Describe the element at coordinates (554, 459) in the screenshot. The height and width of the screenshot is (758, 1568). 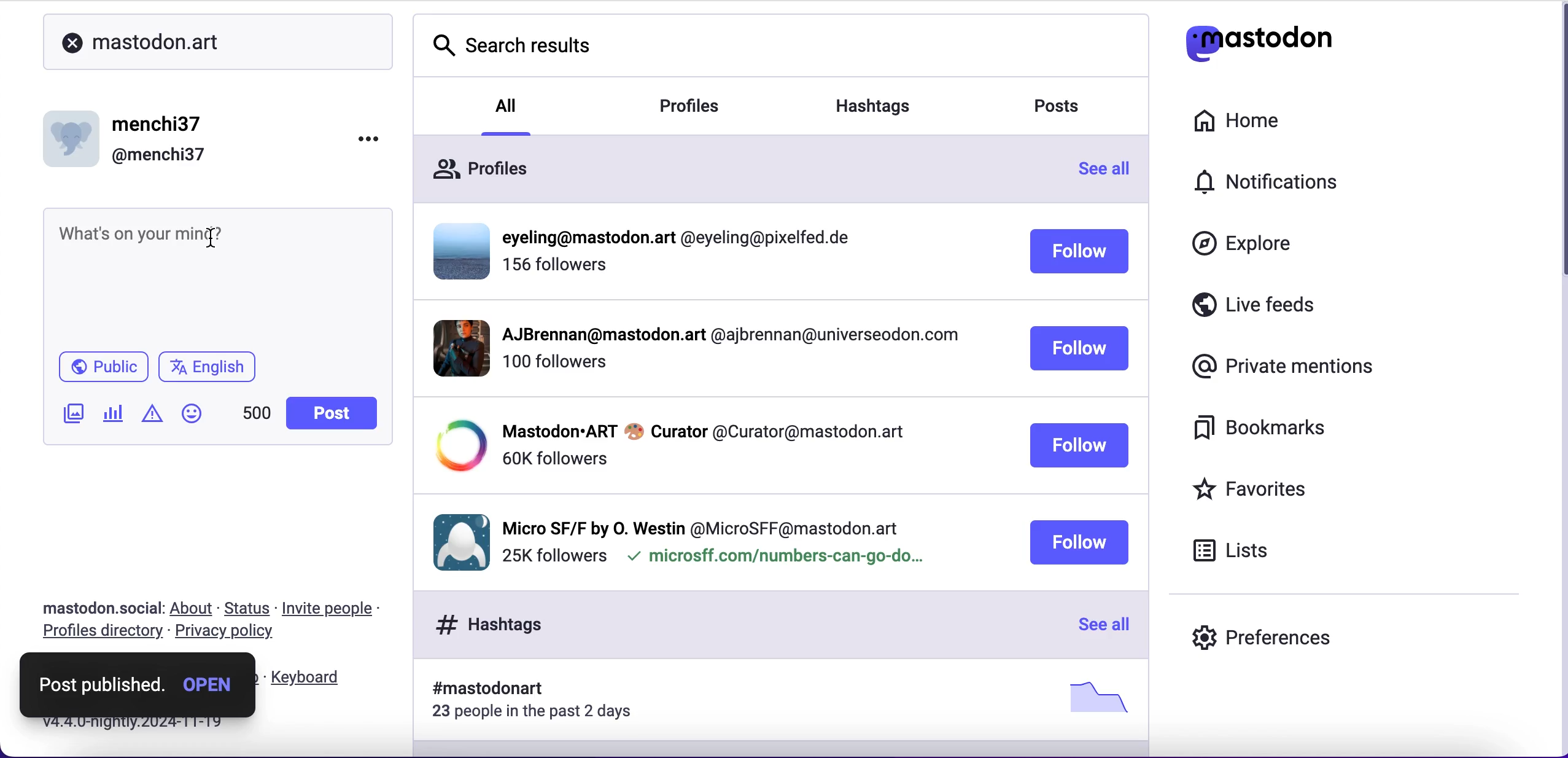
I see `followers` at that location.